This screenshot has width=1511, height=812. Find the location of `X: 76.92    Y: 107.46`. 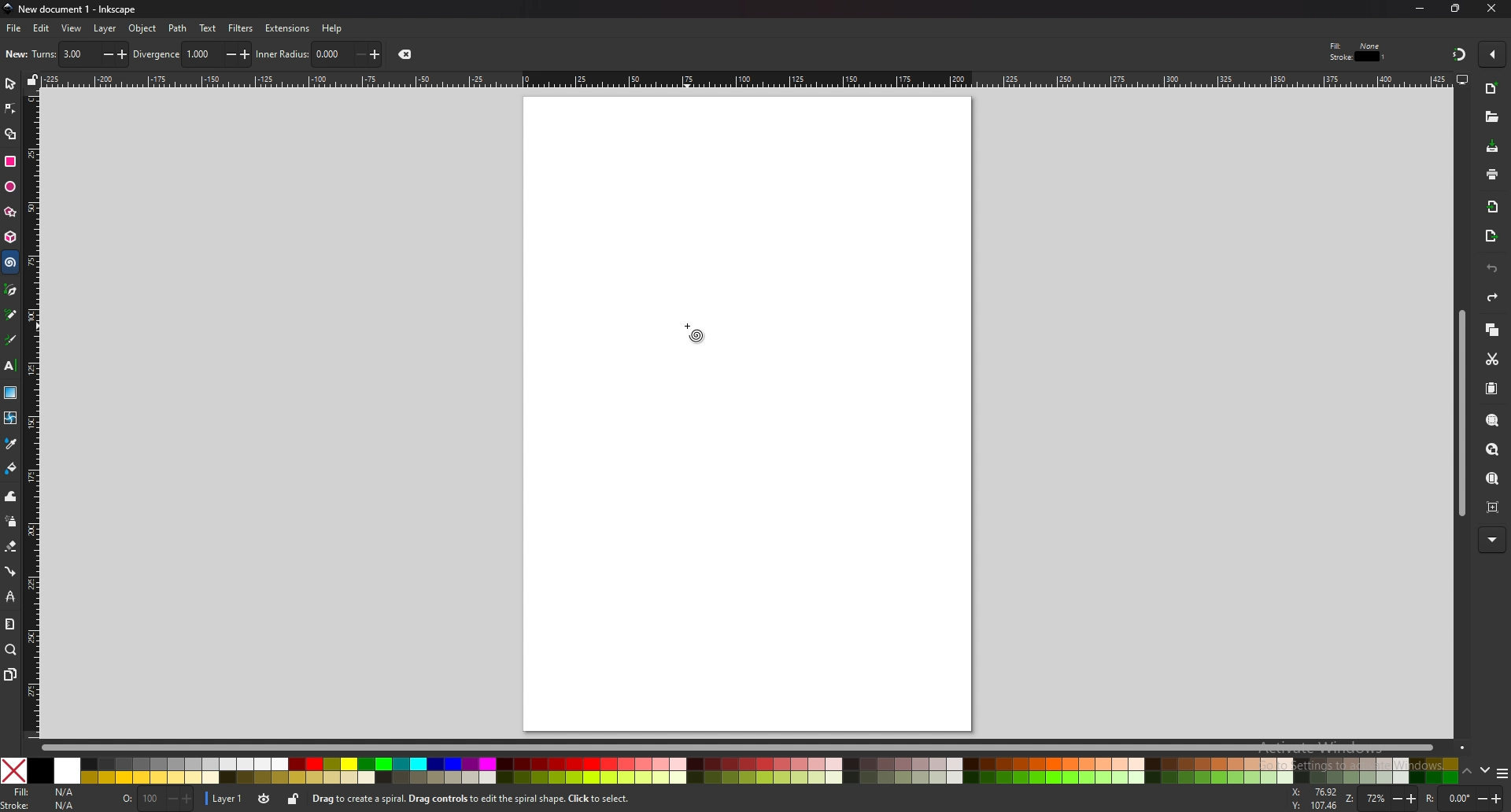

X: 76.92    Y: 107.46 is located at coordinates (1314, 799).